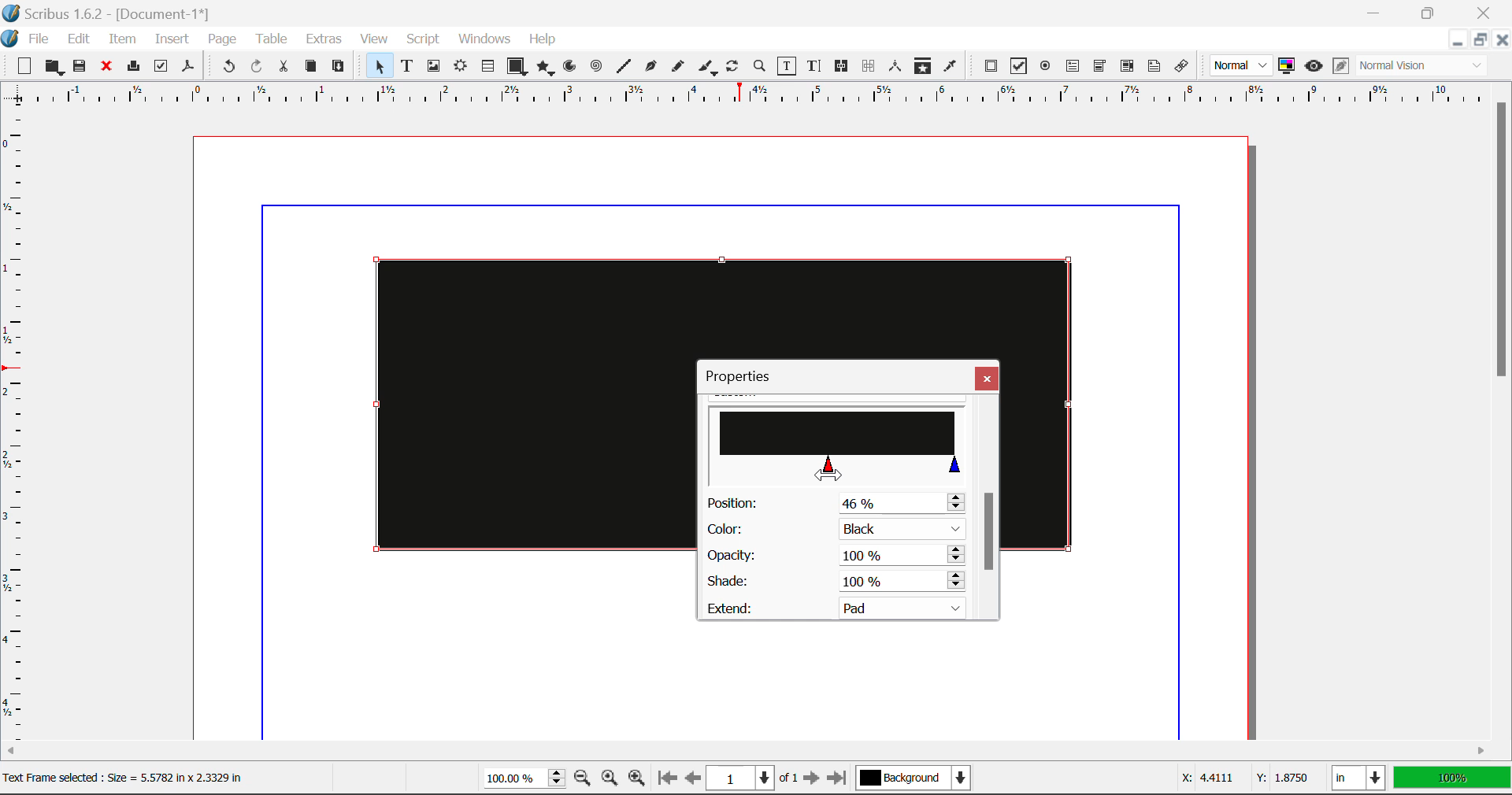 Image resolution: width=1512 pixels, height=795 pixels. What do you see at coordinates (545, 69) in the screenshot?
I see `Polygons` at bounding box center [545, 69].